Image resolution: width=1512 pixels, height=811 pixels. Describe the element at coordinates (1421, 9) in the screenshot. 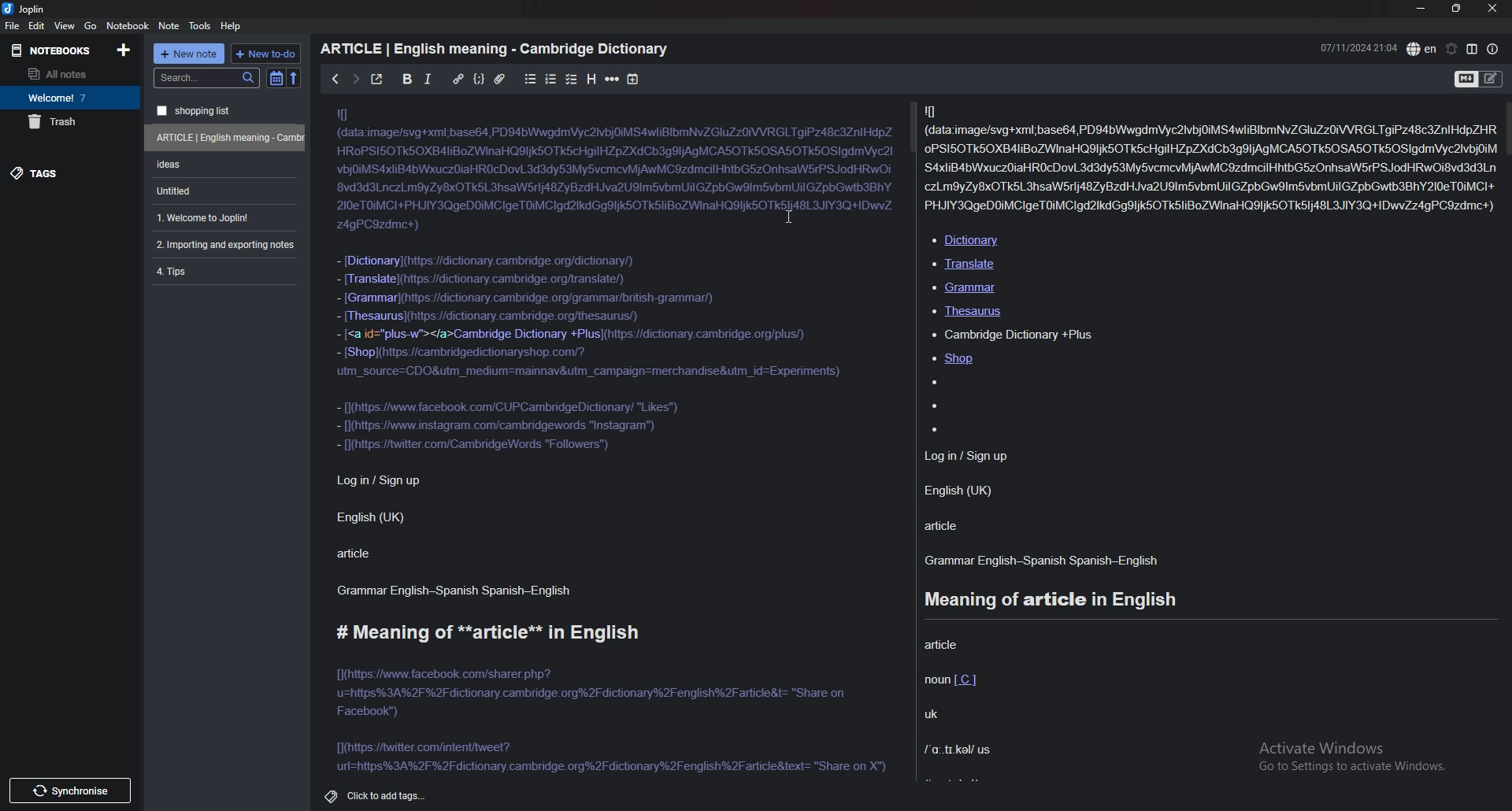

I see `minimize` at that location.